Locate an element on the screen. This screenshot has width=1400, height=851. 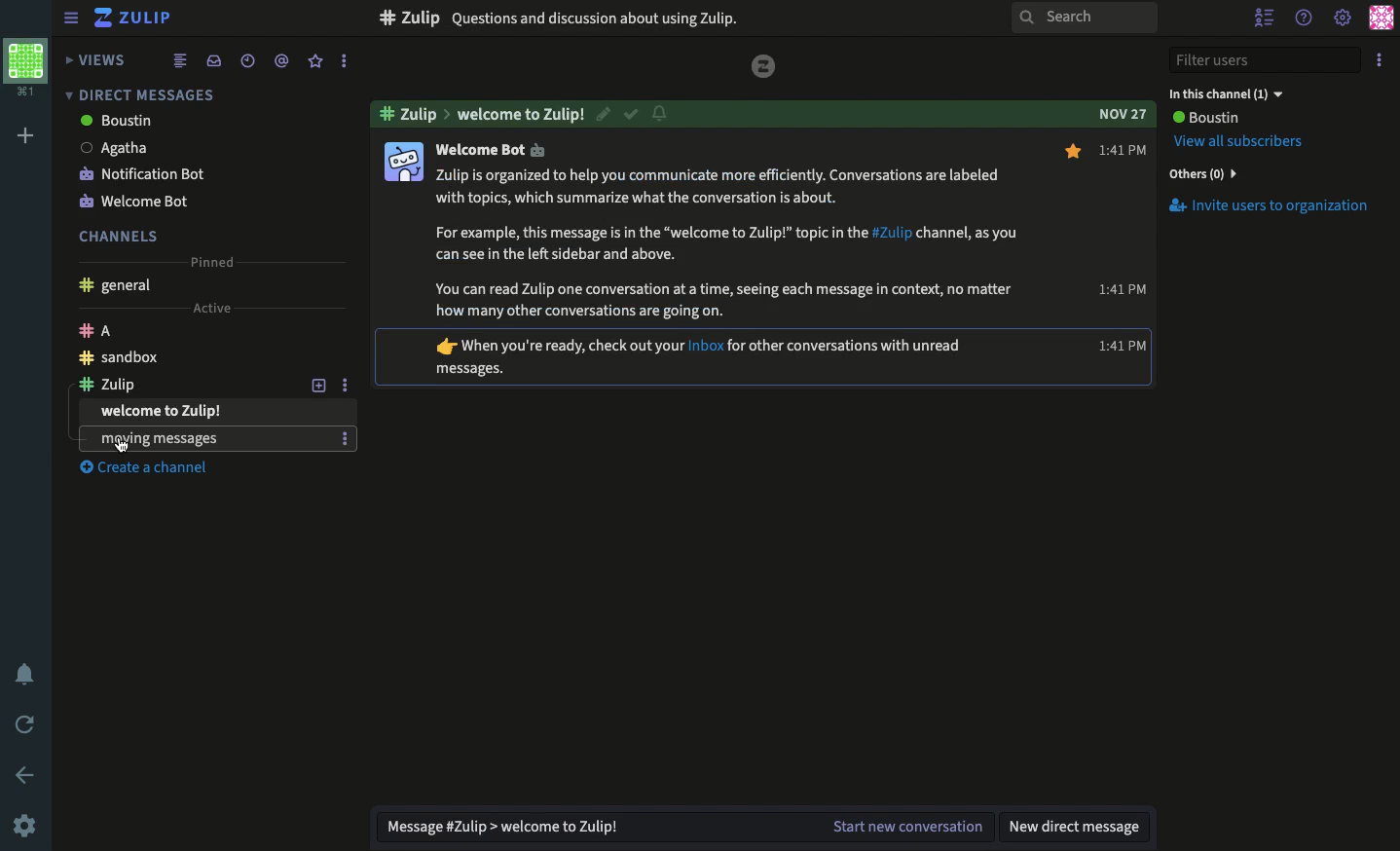
Search is located at coordinates (1083, 18).